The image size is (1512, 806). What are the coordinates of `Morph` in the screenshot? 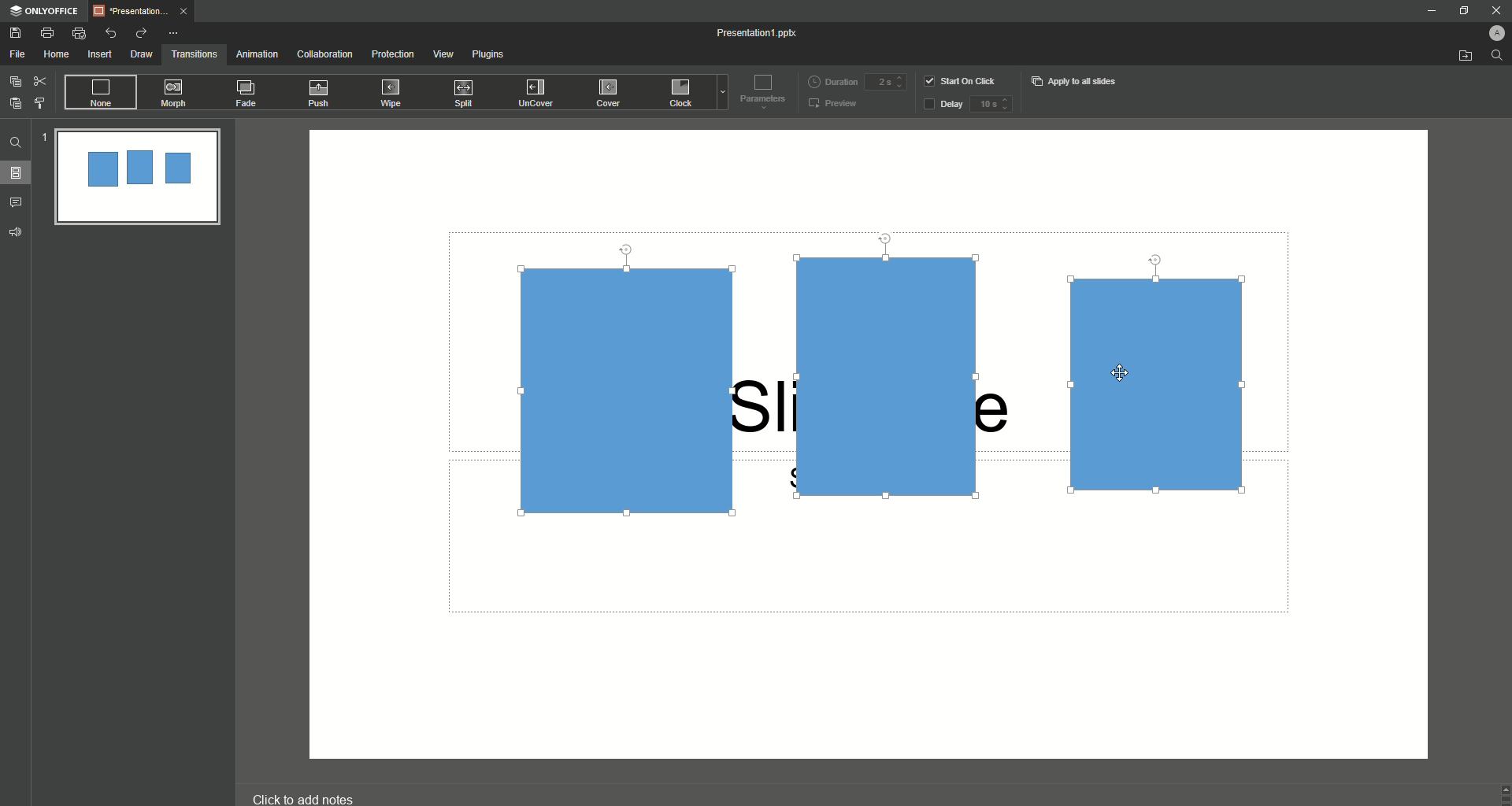 It's located at (176, 93).